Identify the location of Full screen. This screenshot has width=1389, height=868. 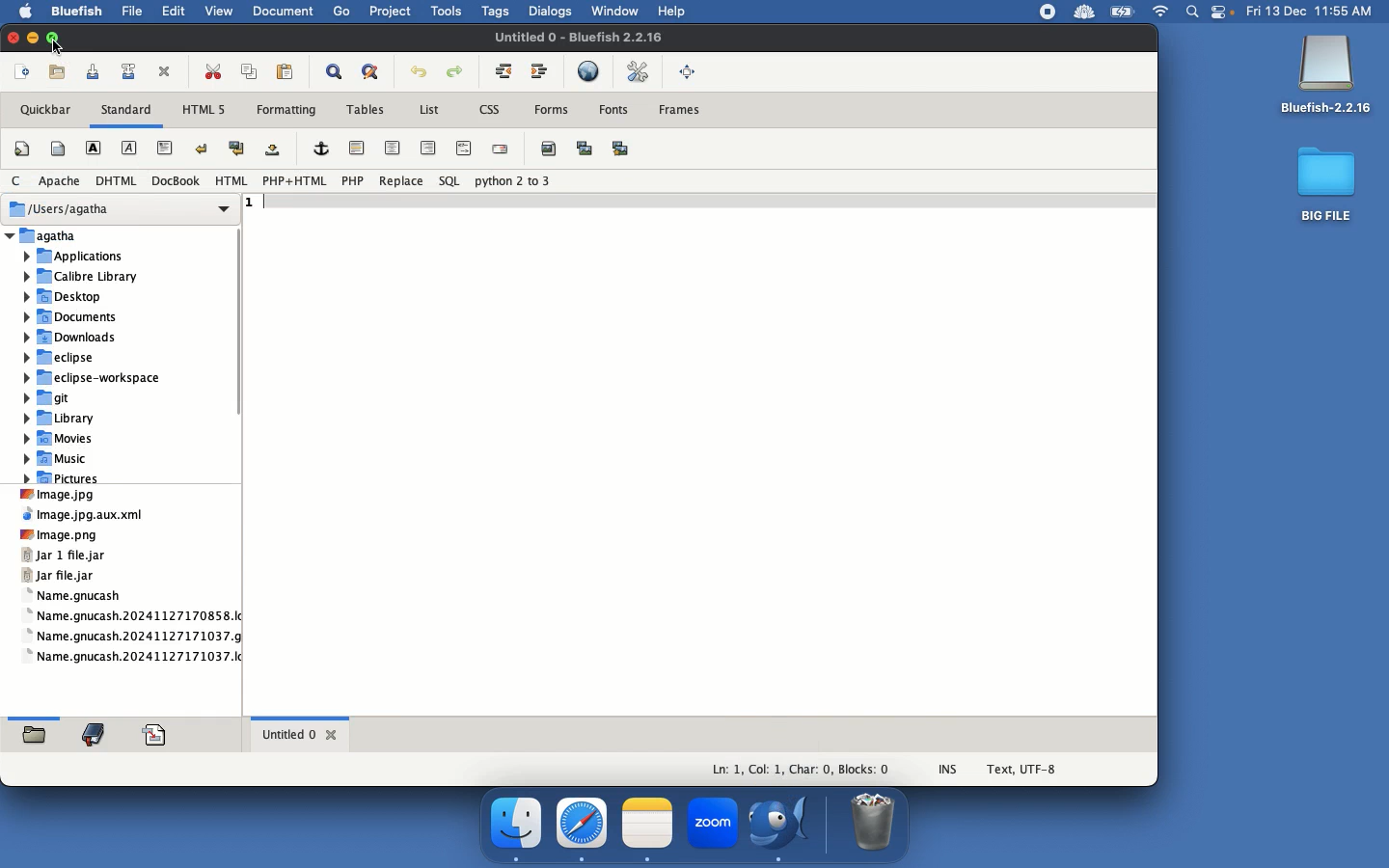
(690, 73).